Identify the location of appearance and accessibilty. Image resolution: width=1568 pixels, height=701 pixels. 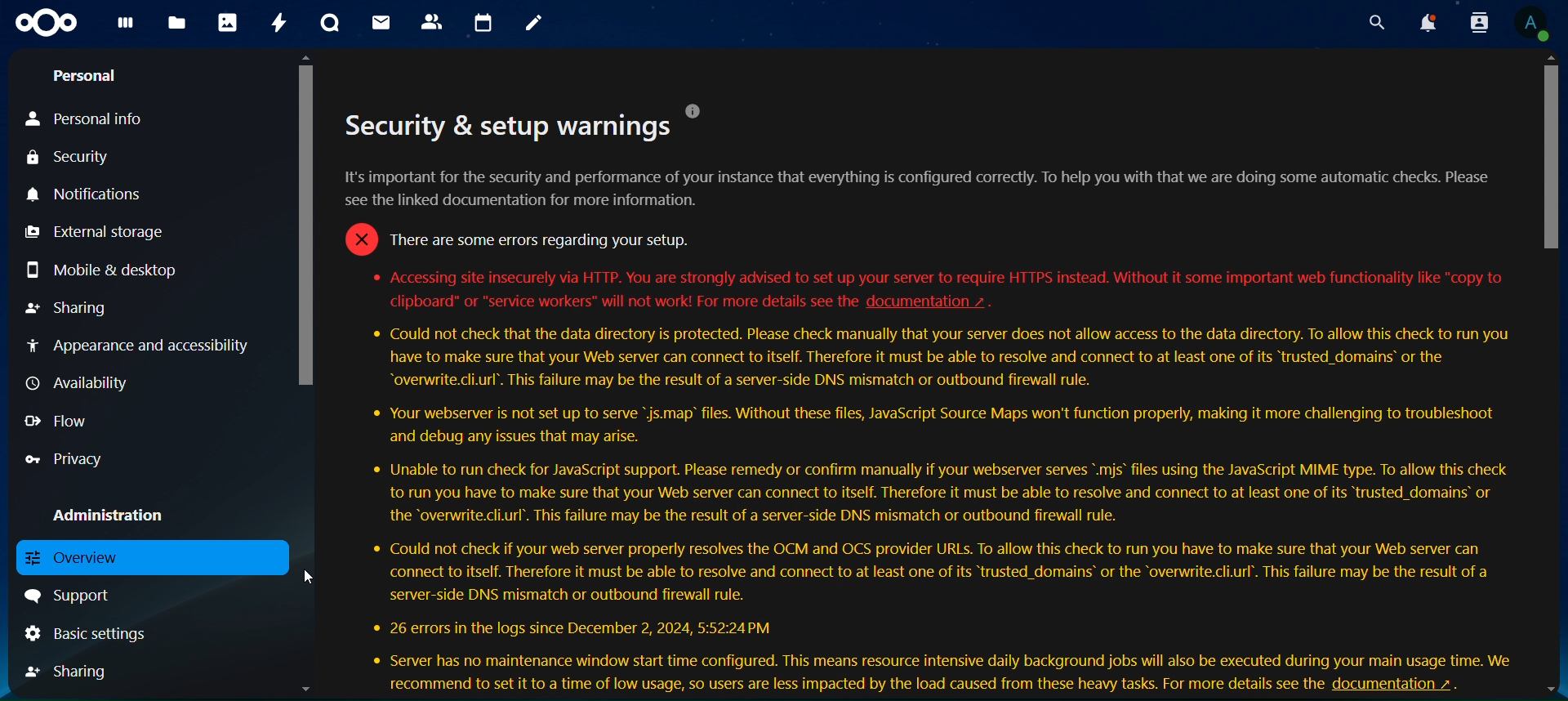
(143, 346).